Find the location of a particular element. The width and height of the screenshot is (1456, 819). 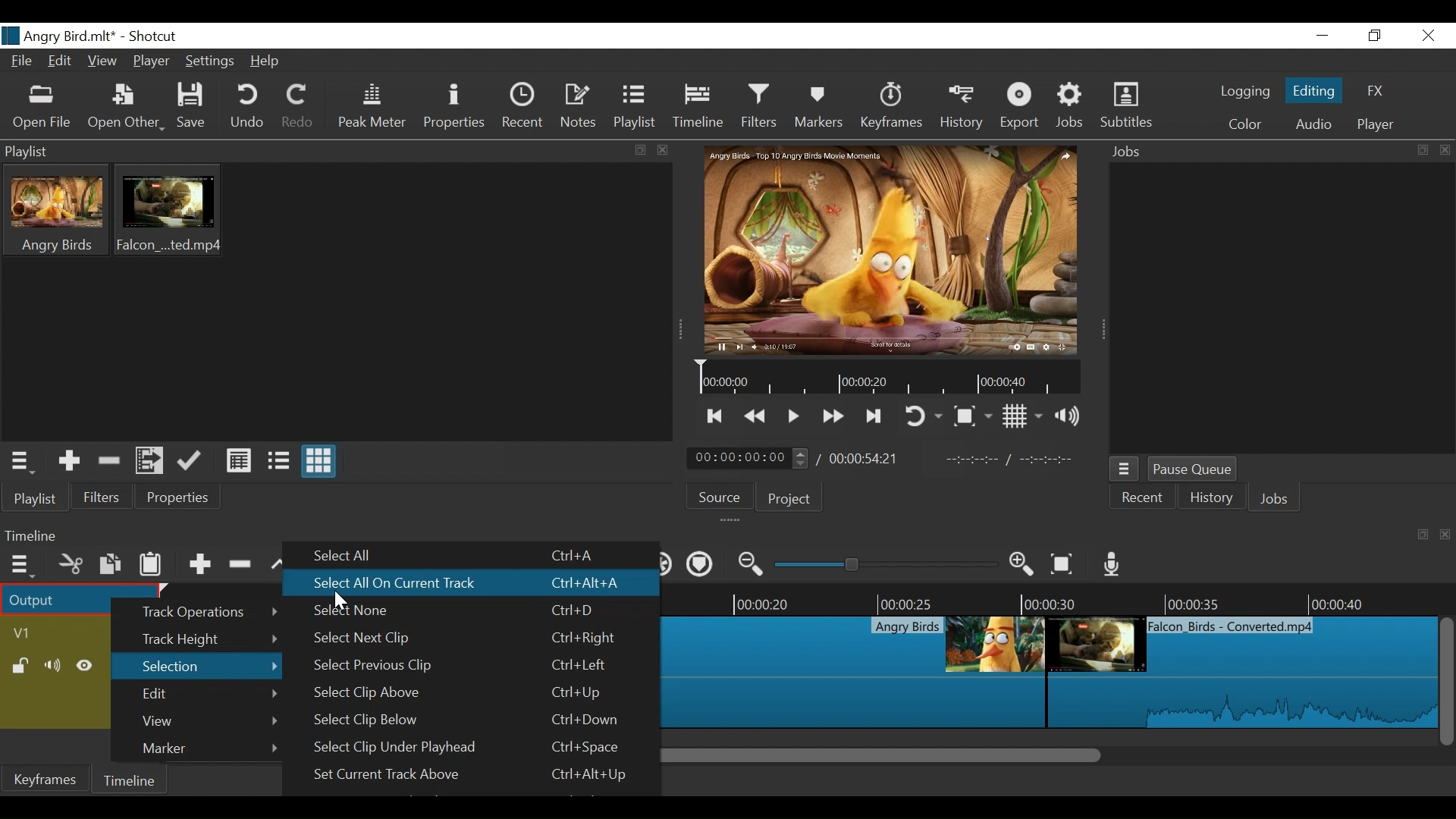

Update is located at coordinates (189, 462).